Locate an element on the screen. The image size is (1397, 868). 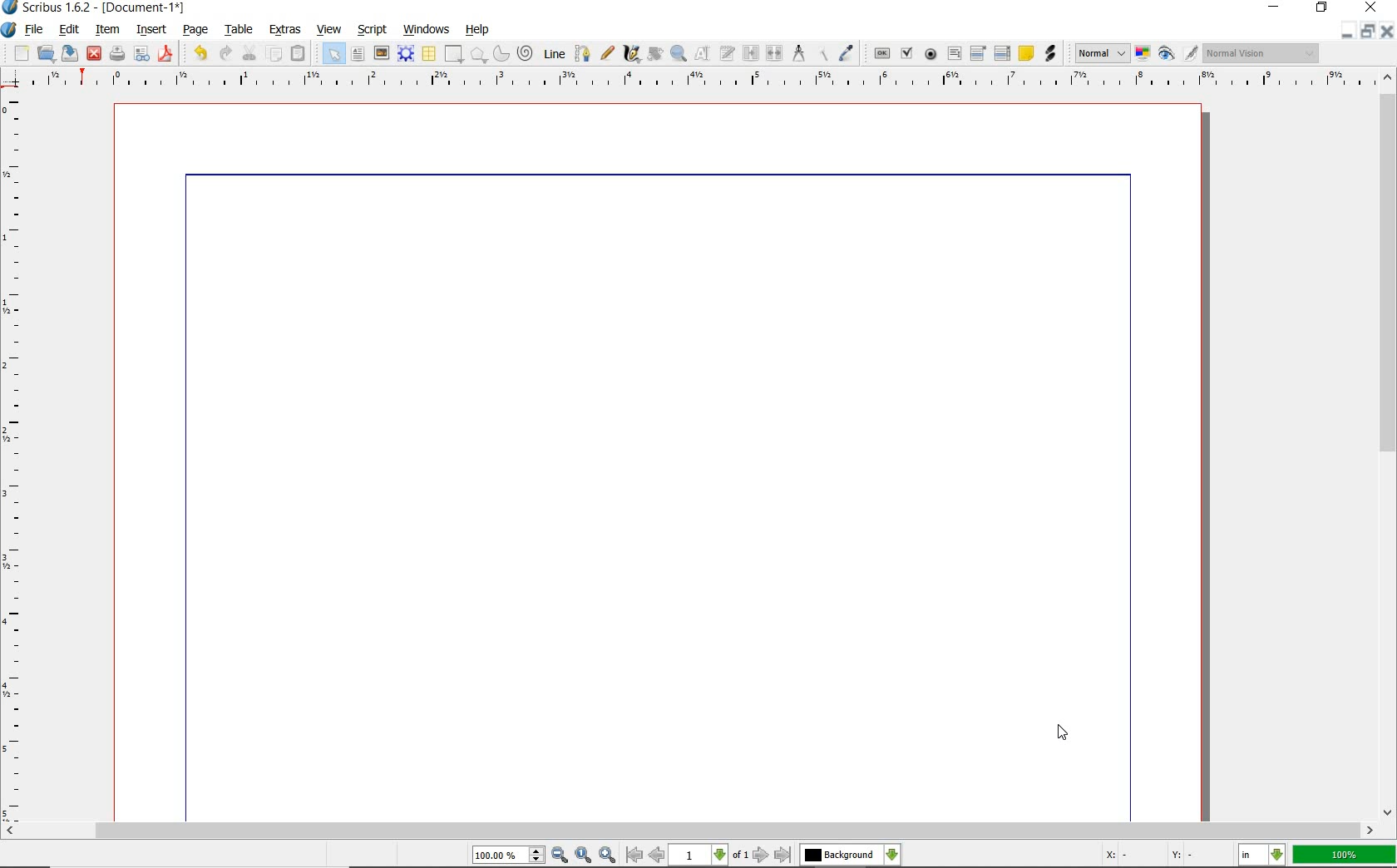
edit contents of frame is located at coordinates (704, 55).